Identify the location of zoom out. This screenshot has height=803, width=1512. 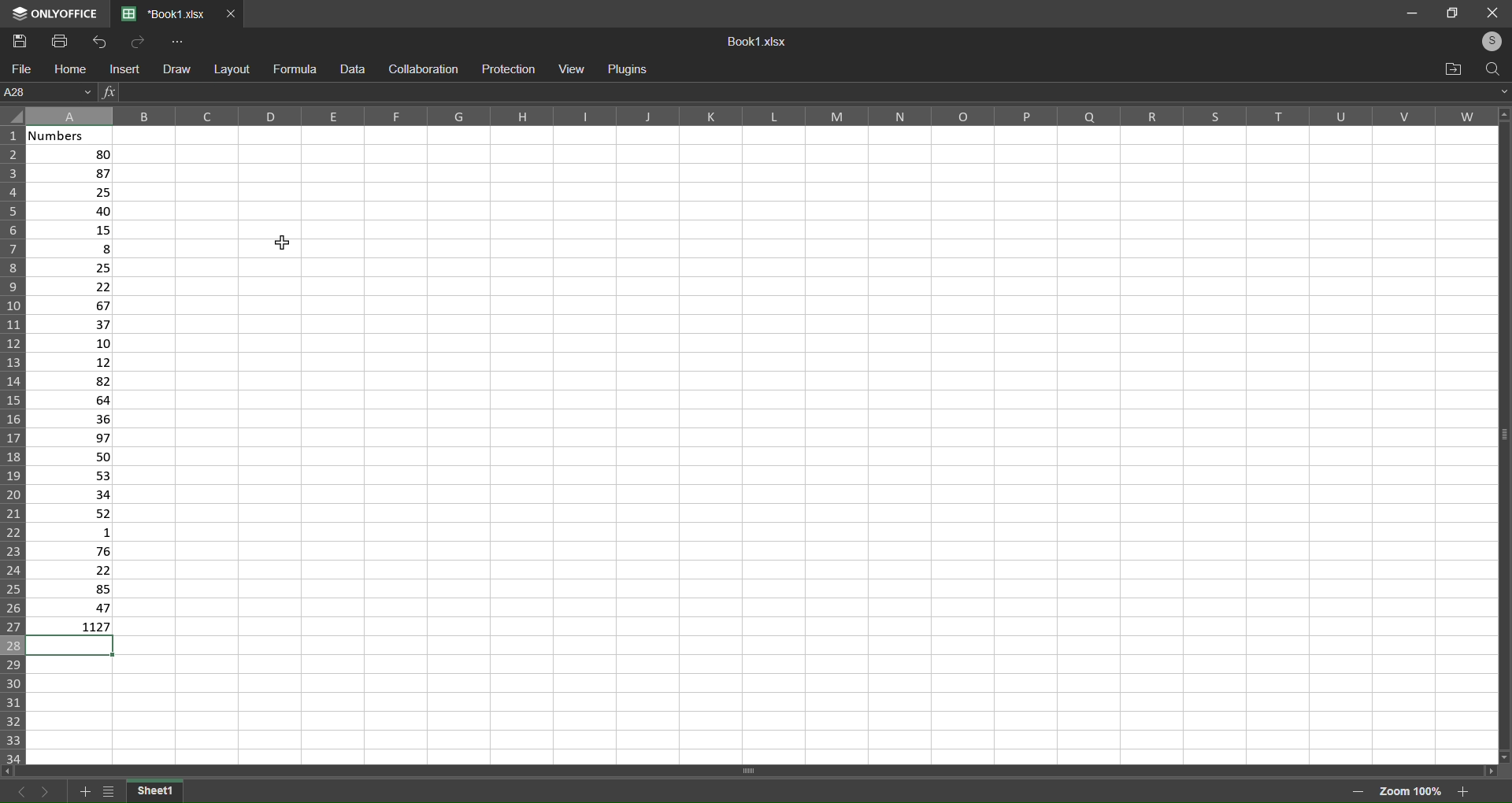
(1353, 791).